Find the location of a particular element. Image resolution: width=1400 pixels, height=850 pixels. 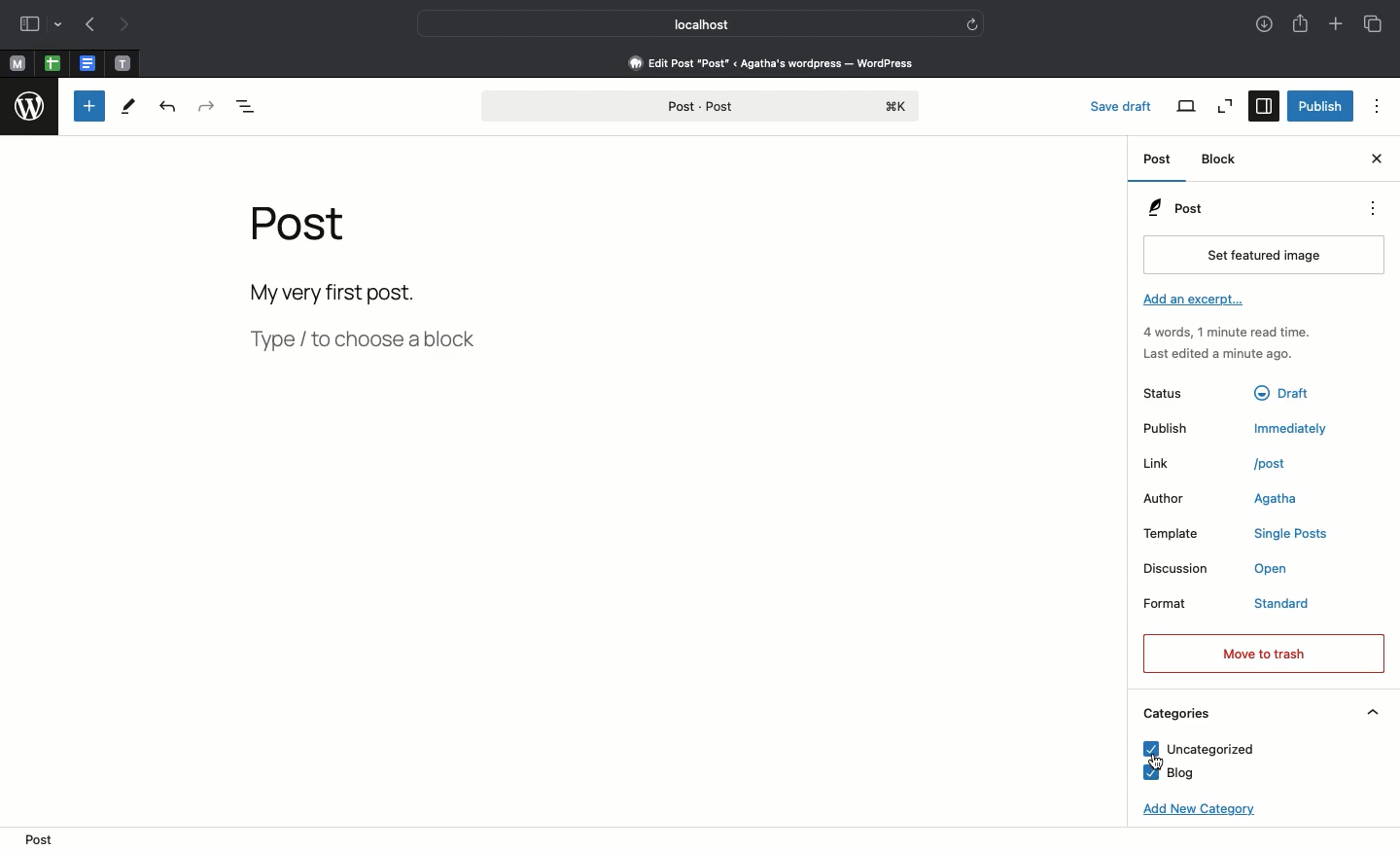

Hide is located at coordinates (1374, 712).